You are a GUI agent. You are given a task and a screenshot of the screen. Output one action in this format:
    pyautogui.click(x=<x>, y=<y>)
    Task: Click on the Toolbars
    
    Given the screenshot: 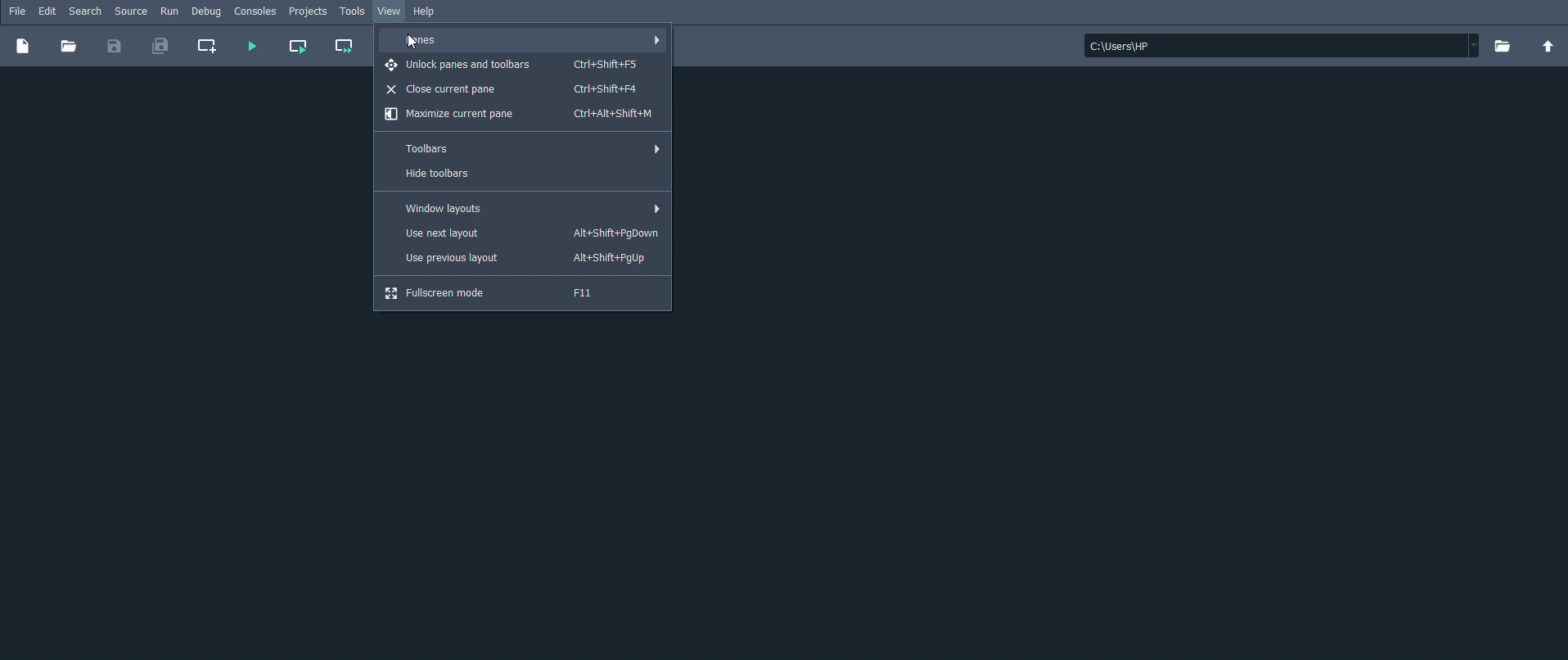 What is the action you would take?
    pyautogui.click(x=524, y=149)
    